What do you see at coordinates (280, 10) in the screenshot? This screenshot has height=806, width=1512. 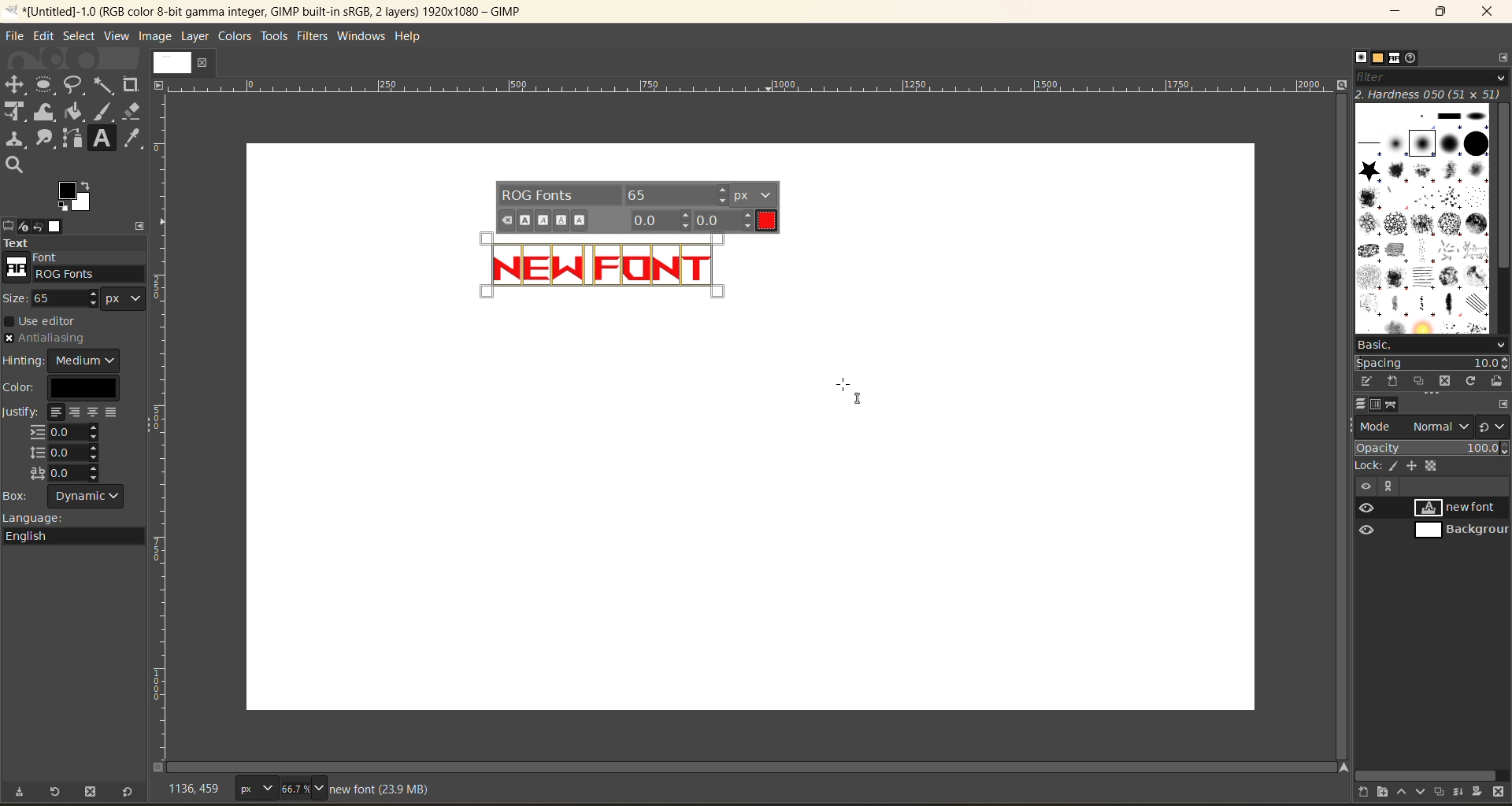 I see `file name and app name` at bounding box center [280, 10].